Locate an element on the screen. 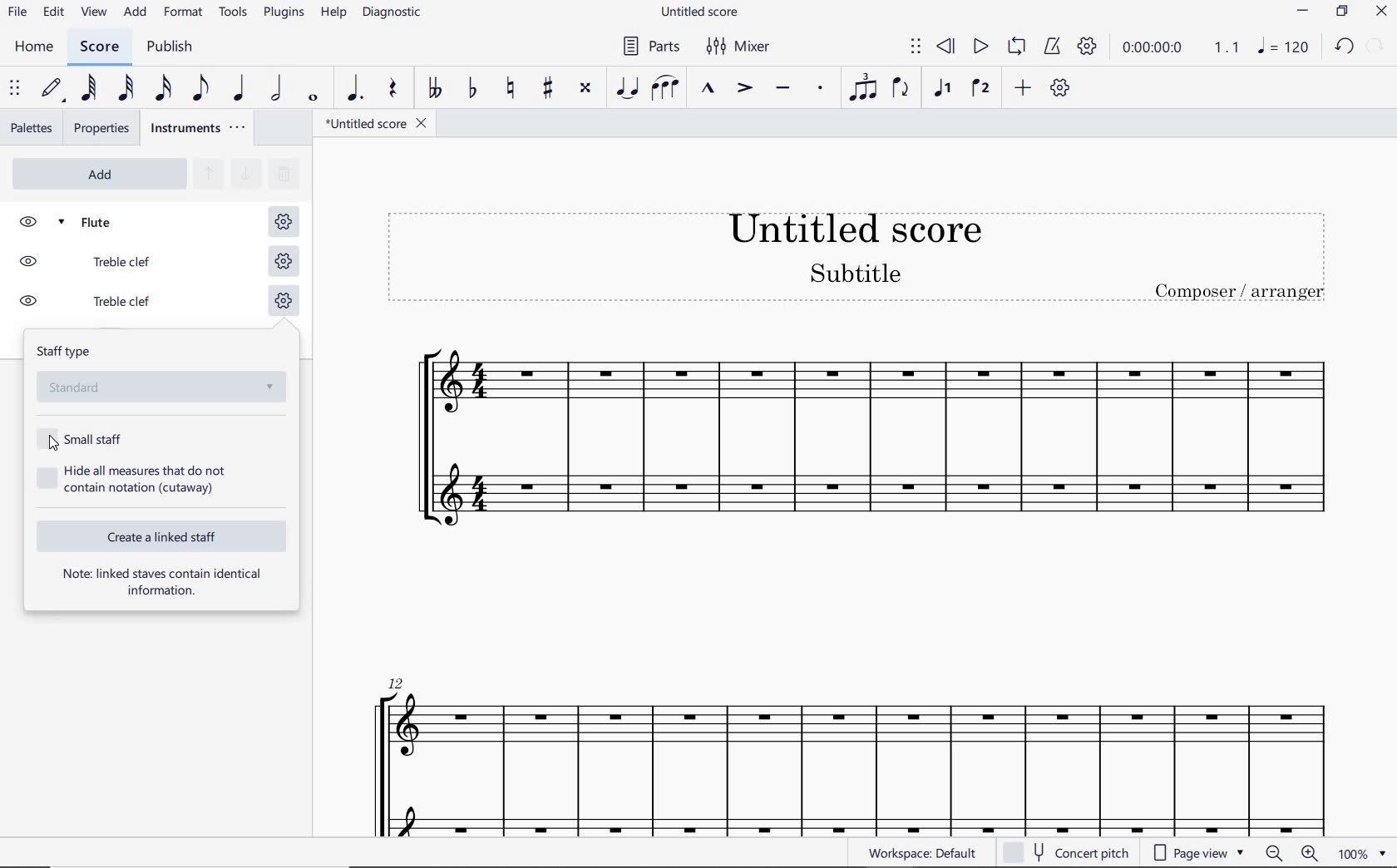  properties is located at coordinates (101, 128).